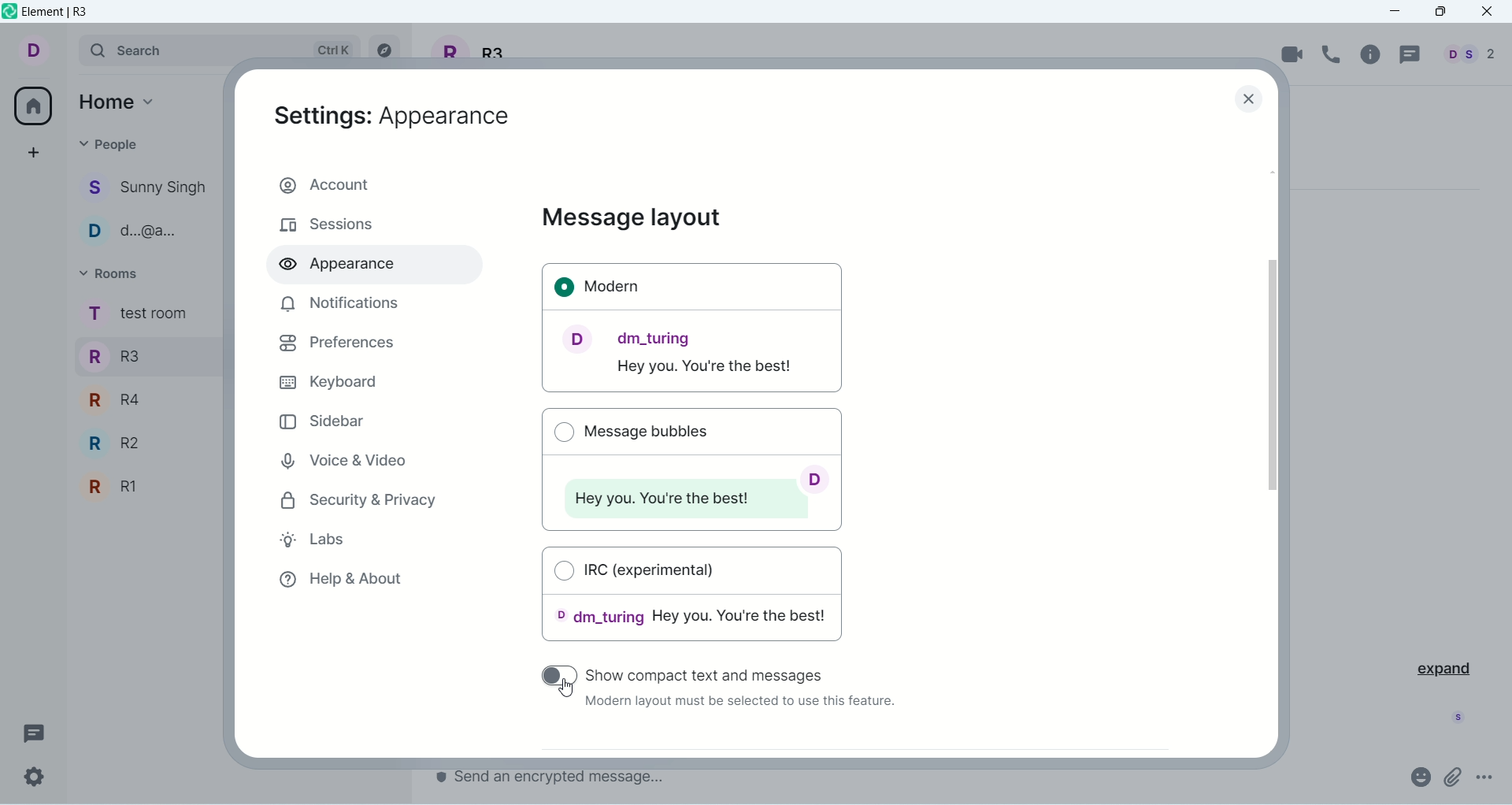 The width and height of the screenshot is (1512, 805). What do you see at coordinates (59, 13) in the screenshot?
I see `element` at bounding box center [59, 13].